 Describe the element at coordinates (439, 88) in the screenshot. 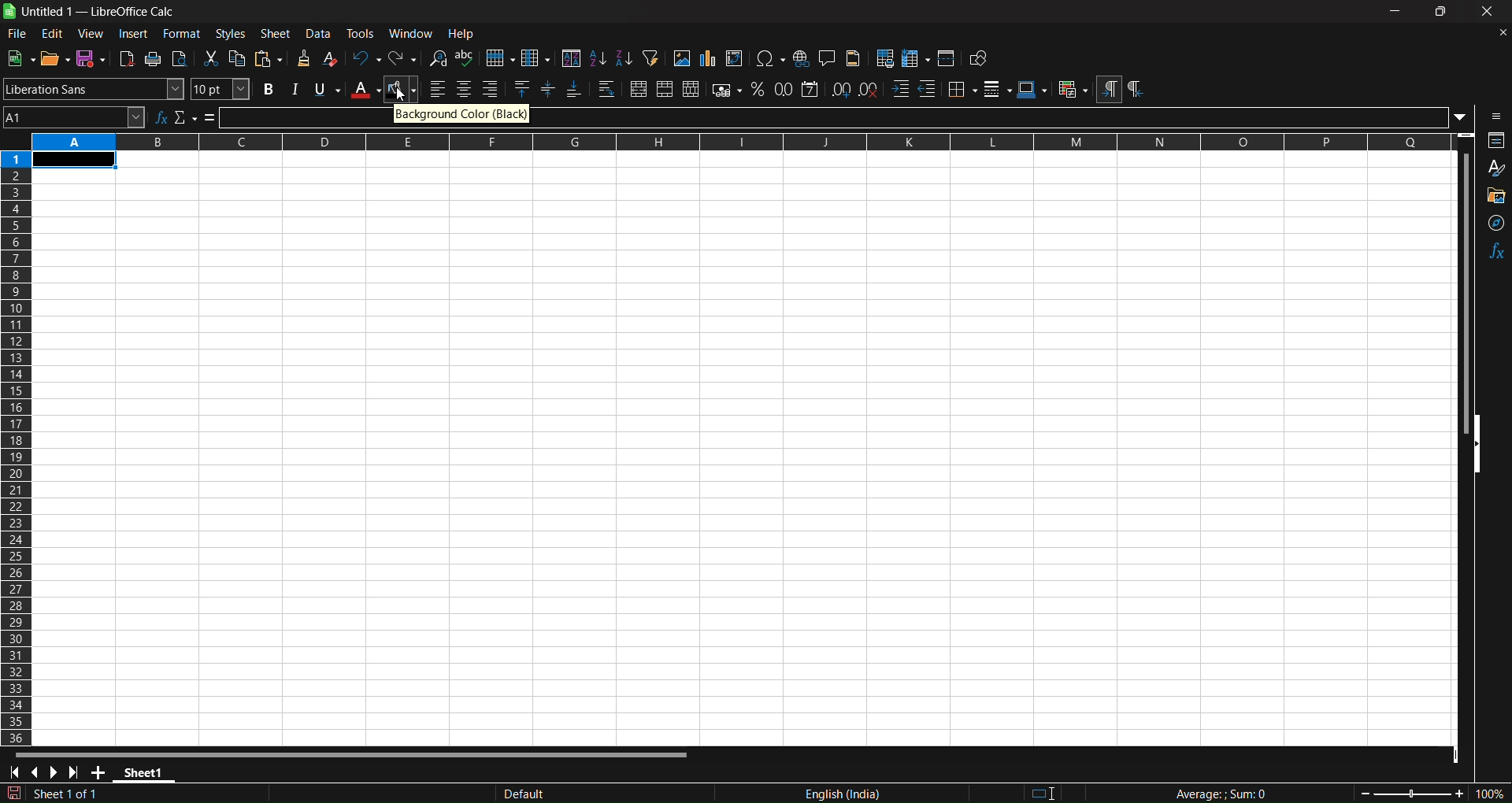

I see `align left` at that location.